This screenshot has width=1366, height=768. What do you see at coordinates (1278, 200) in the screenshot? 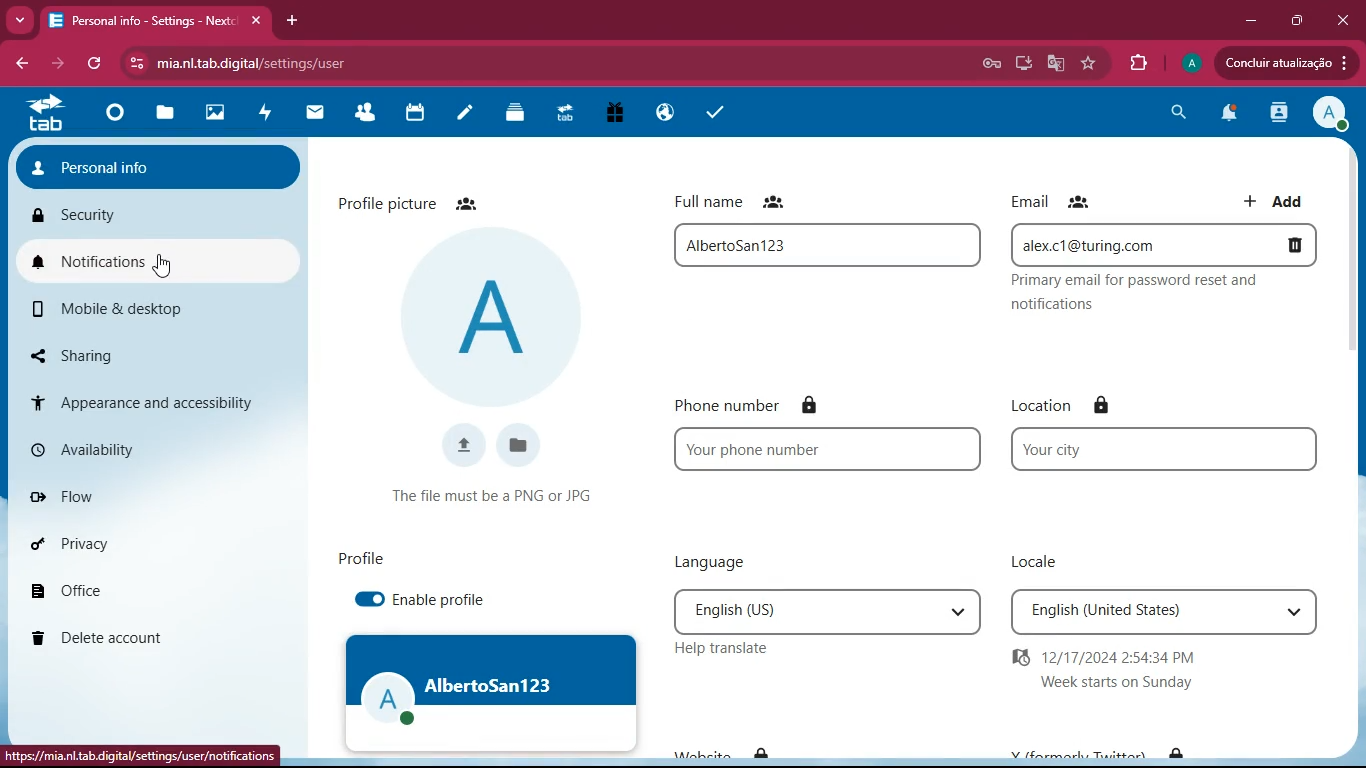
I see `add` at bounding box center [1278, 200].